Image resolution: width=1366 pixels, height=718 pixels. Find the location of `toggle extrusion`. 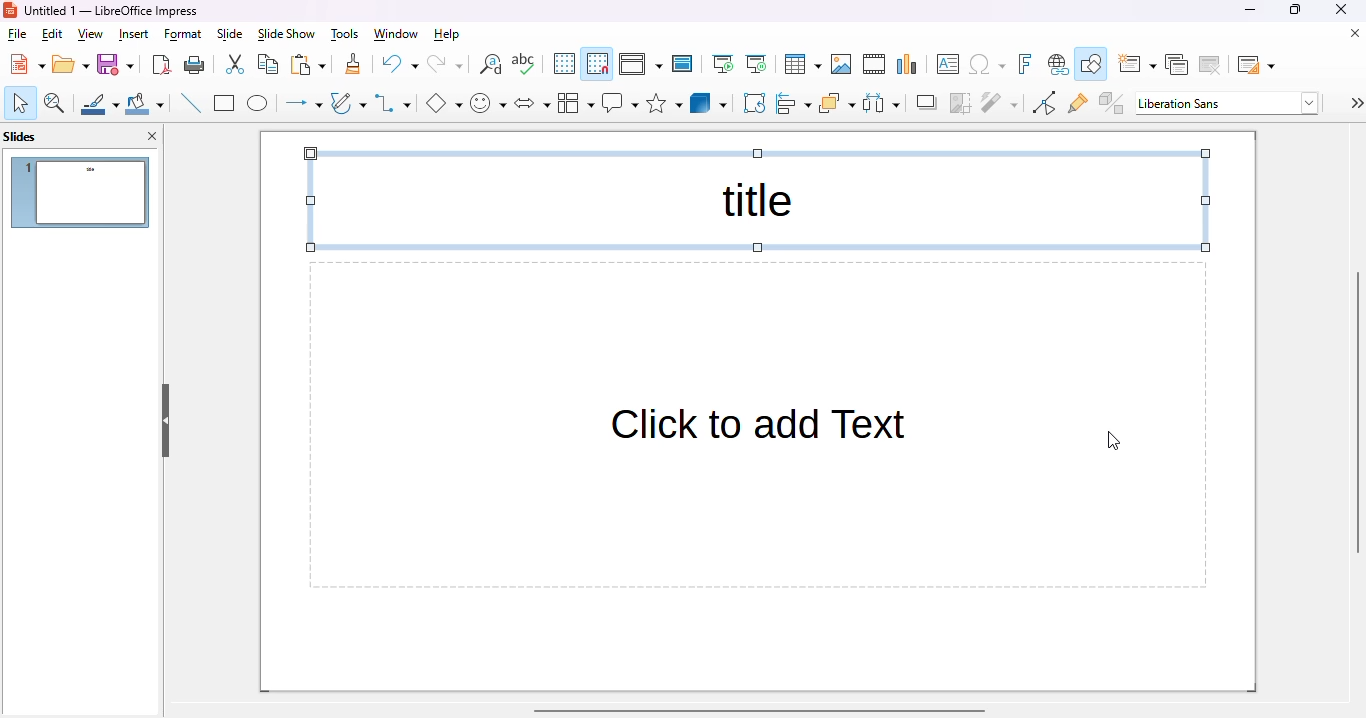

toggle extrusion is located at coordinates (1112, 102).